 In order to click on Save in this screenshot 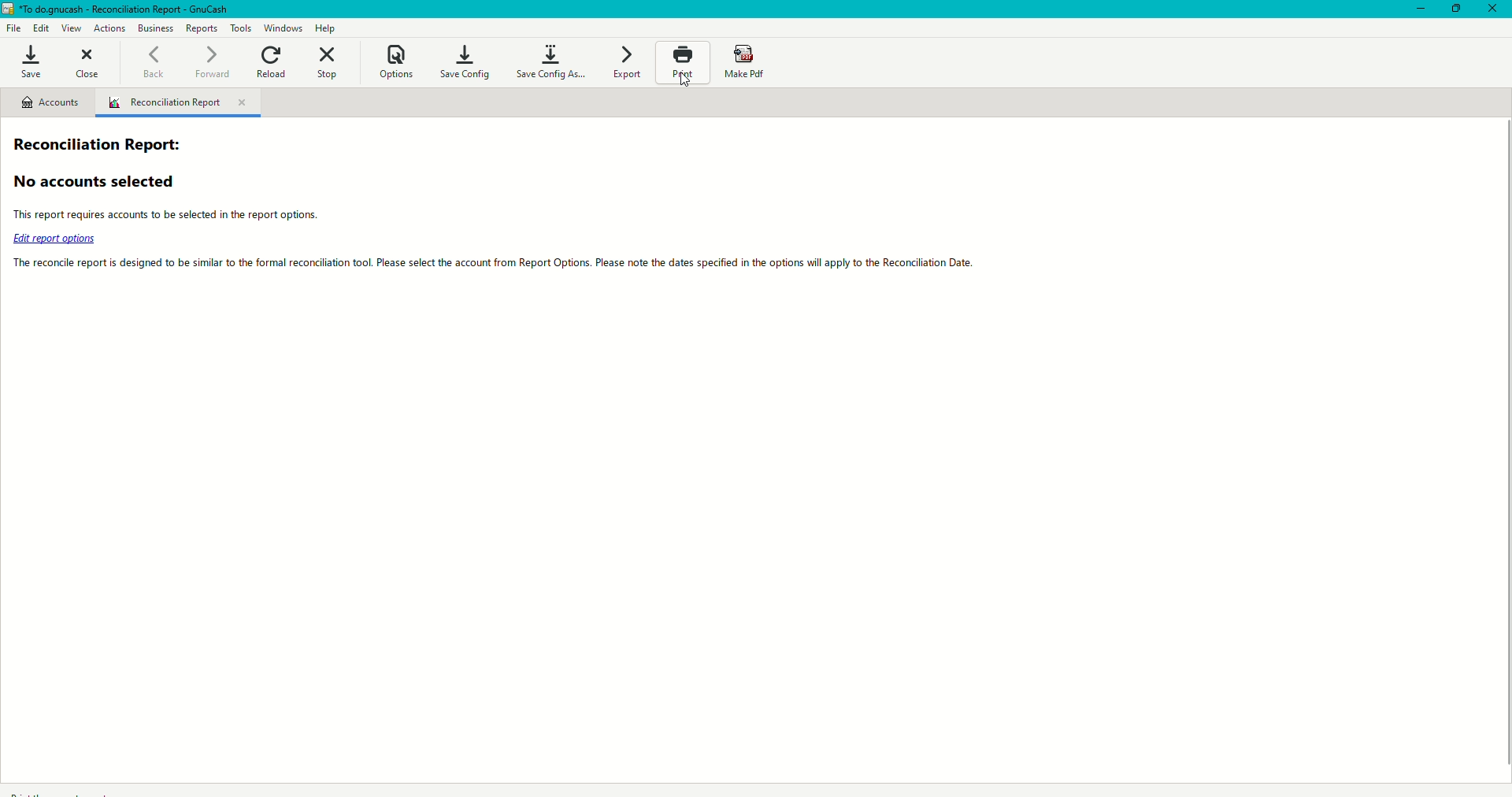, I will do `click(28, 62)`.